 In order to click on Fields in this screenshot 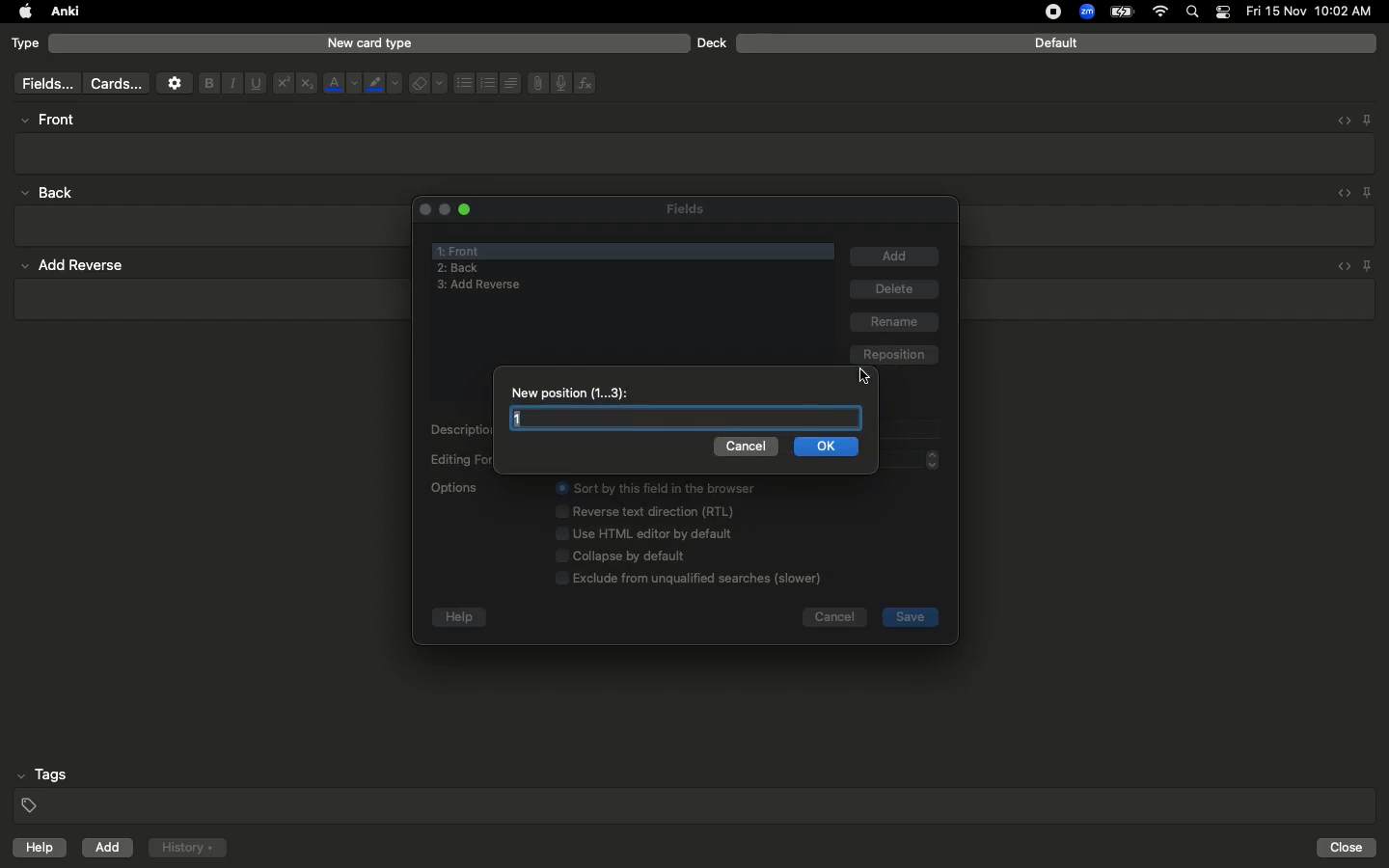, I will do `click(697, 208)`.